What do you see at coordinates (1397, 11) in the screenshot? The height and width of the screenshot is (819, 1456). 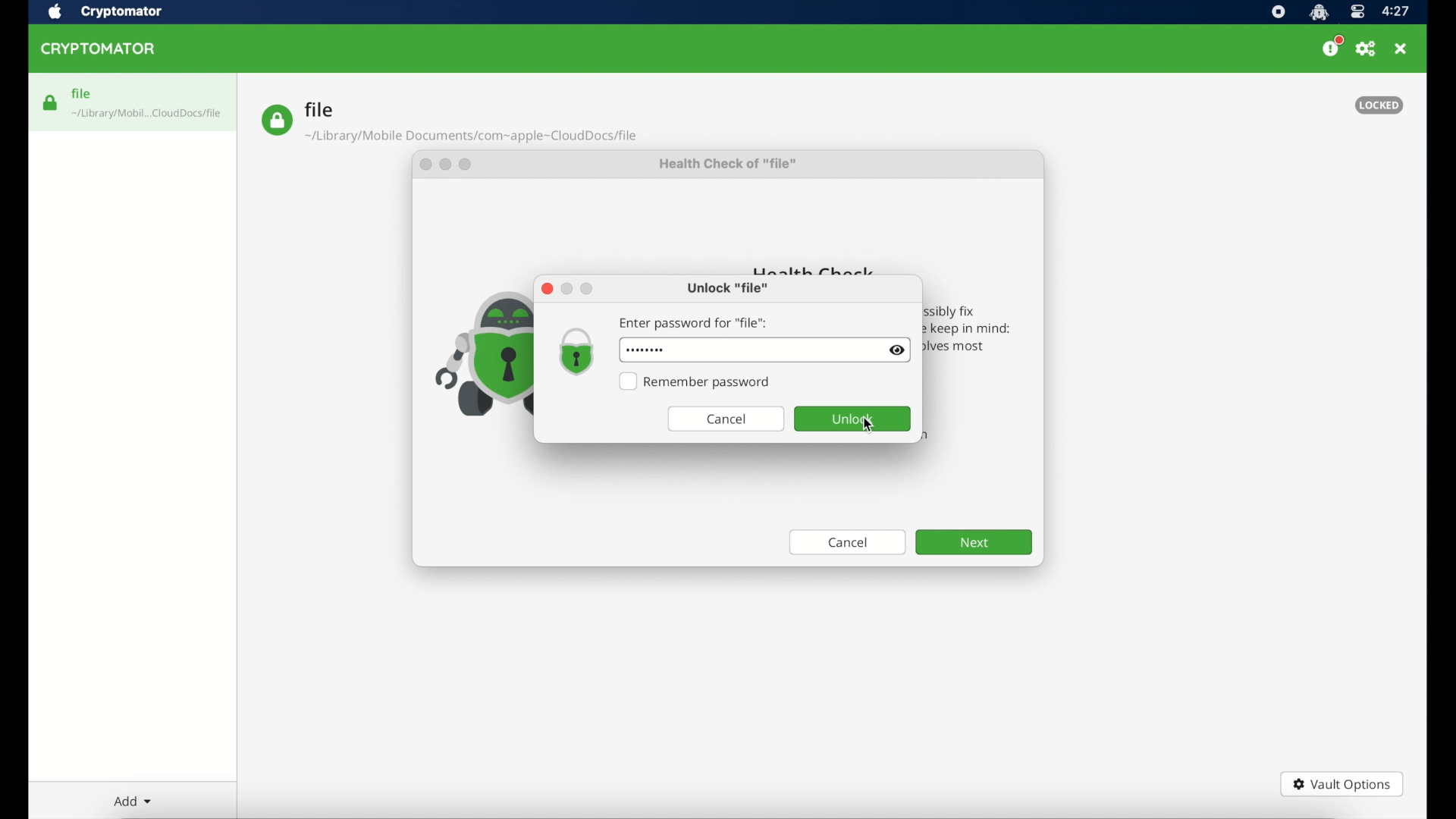 I see `time` at bounding box center [1397, 11].